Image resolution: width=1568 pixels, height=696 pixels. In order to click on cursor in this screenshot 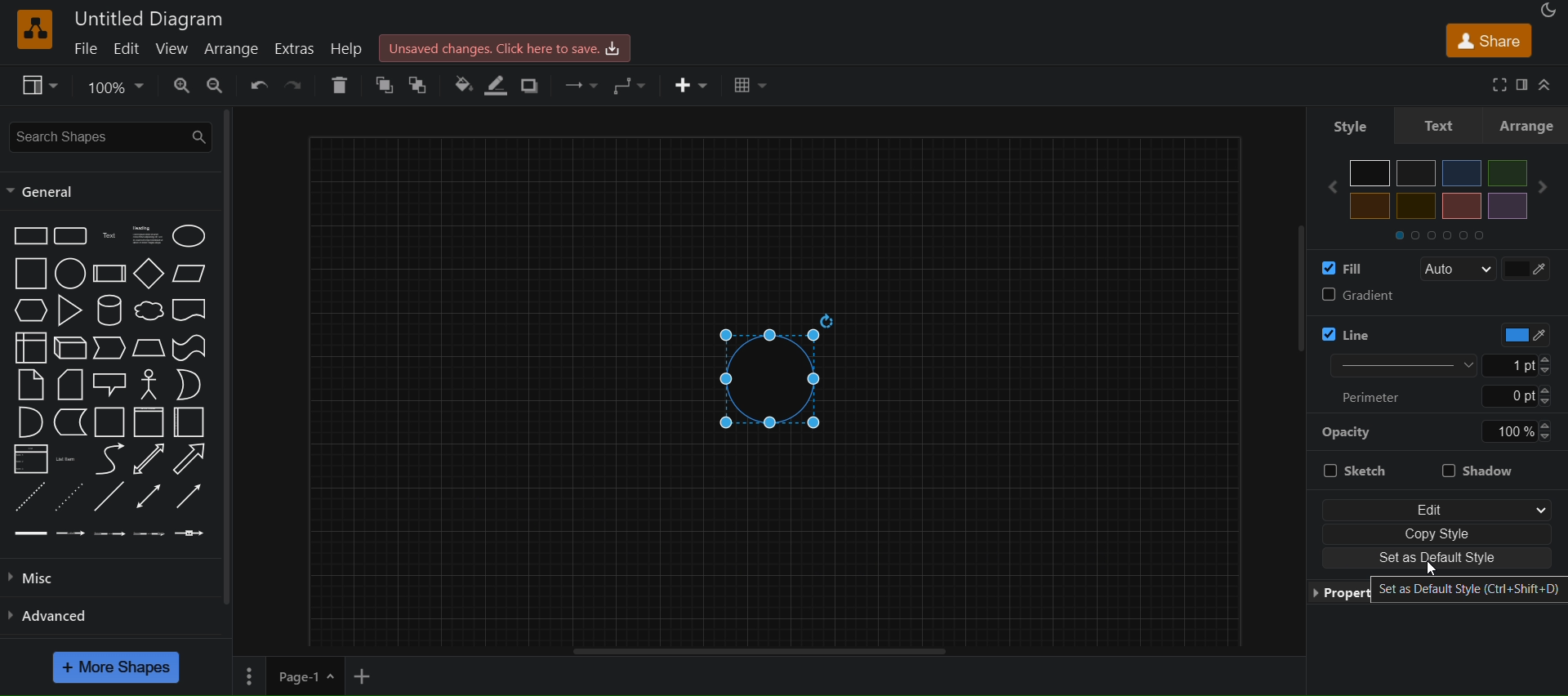, I will do `click(1434, 567)`.